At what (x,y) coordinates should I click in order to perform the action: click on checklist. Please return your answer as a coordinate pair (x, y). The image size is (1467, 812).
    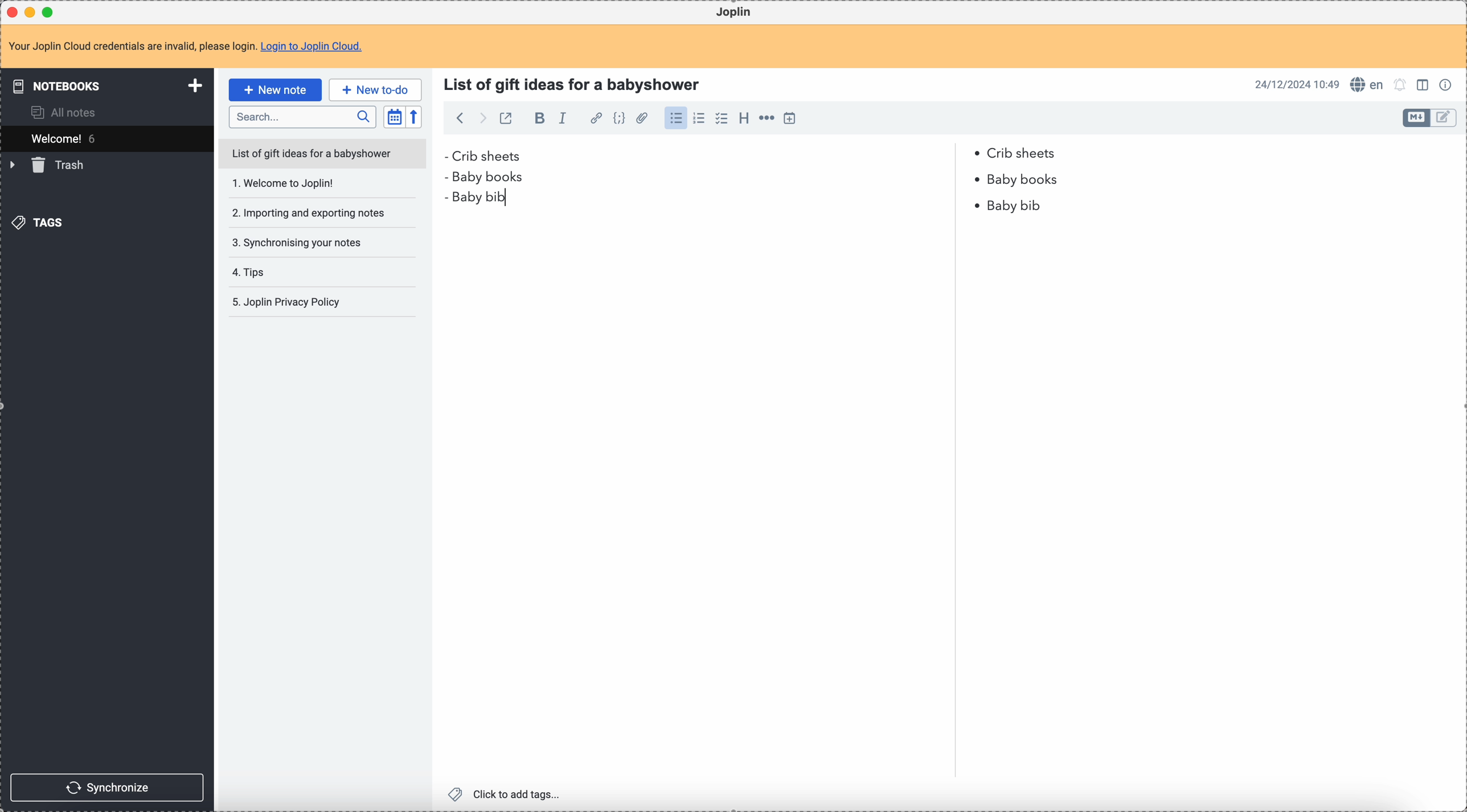
    Looking at the image, I should click on (722, 119).